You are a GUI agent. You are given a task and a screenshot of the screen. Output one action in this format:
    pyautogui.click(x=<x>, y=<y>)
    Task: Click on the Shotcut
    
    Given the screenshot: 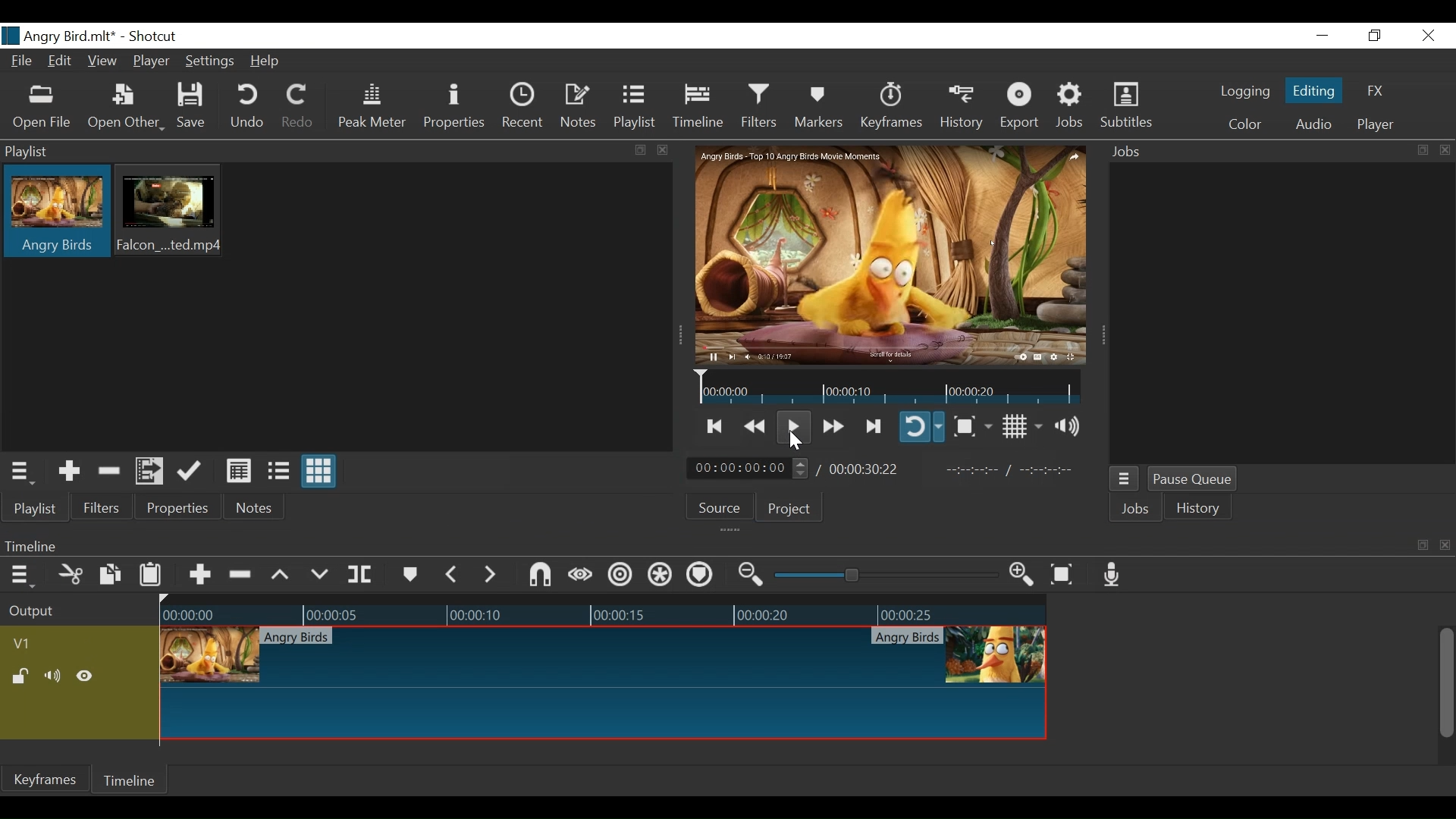 What is the action you would take?
    pyautogui.click(x=152, y=36)
    